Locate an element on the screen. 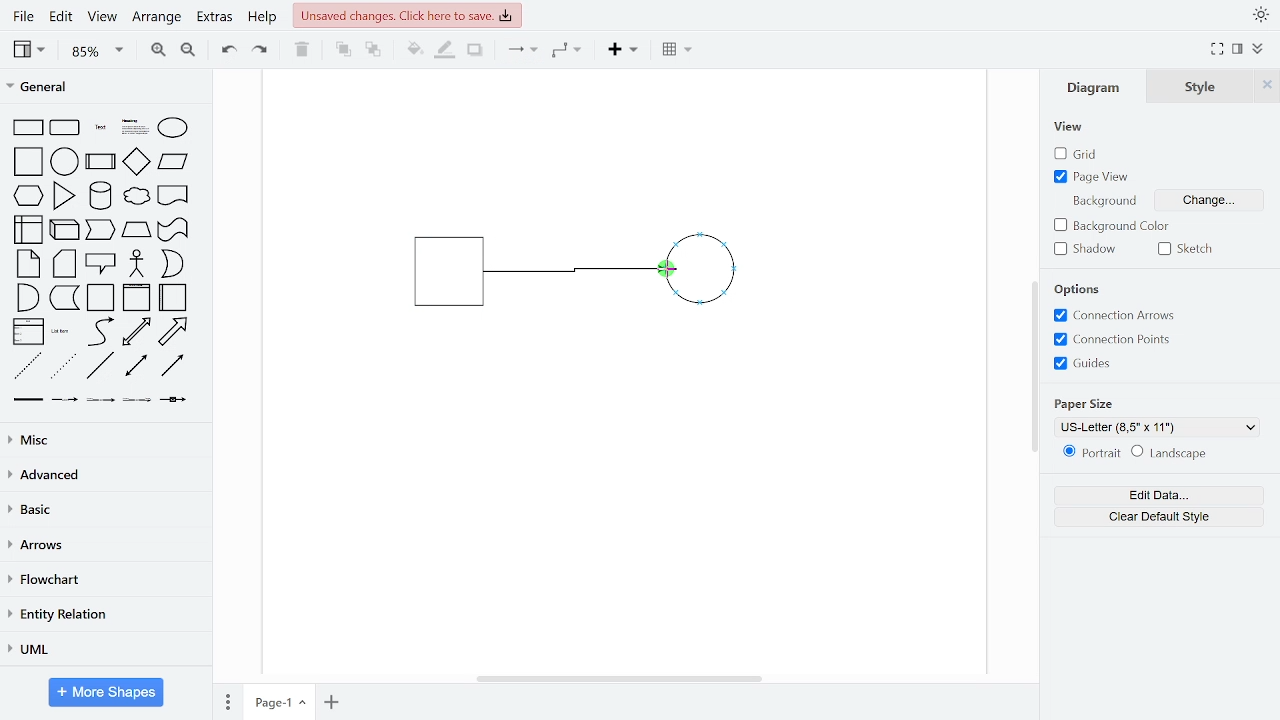  grid is located at coordinates (1086, 154).